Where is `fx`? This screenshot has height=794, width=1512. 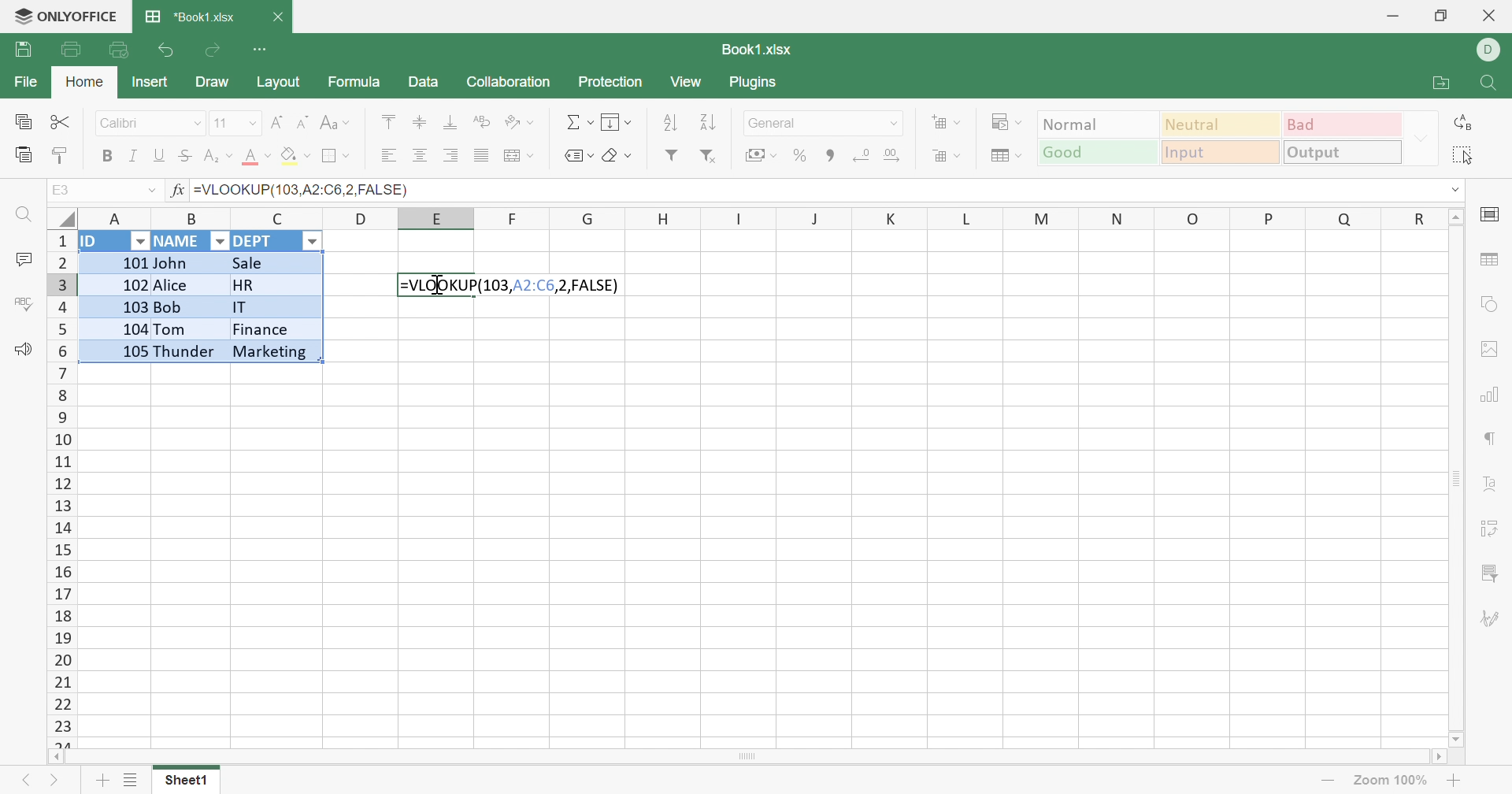 fx is located at coordinates (172, 191).